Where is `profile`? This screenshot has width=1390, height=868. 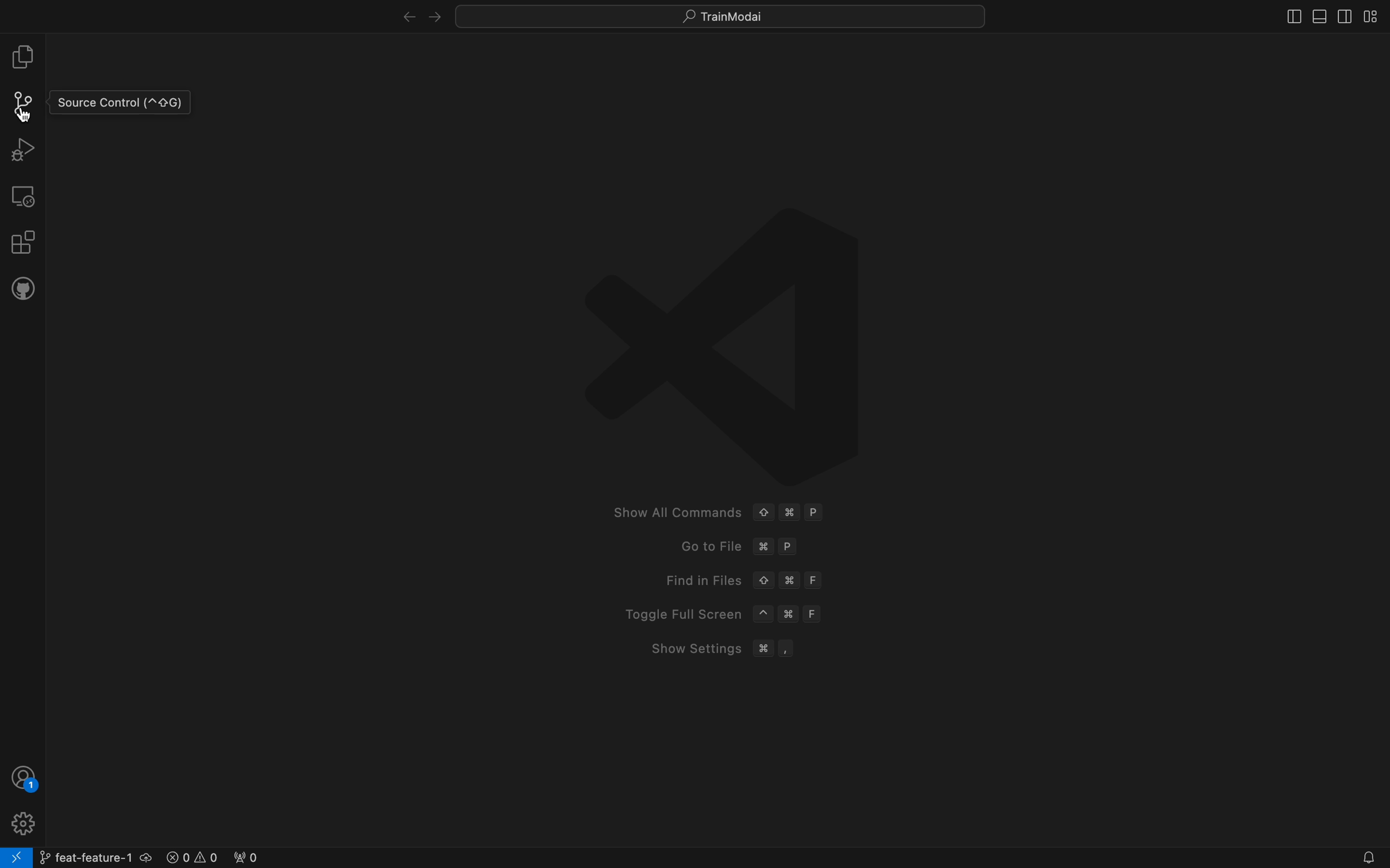 profile is located at coordinates (25, 777).